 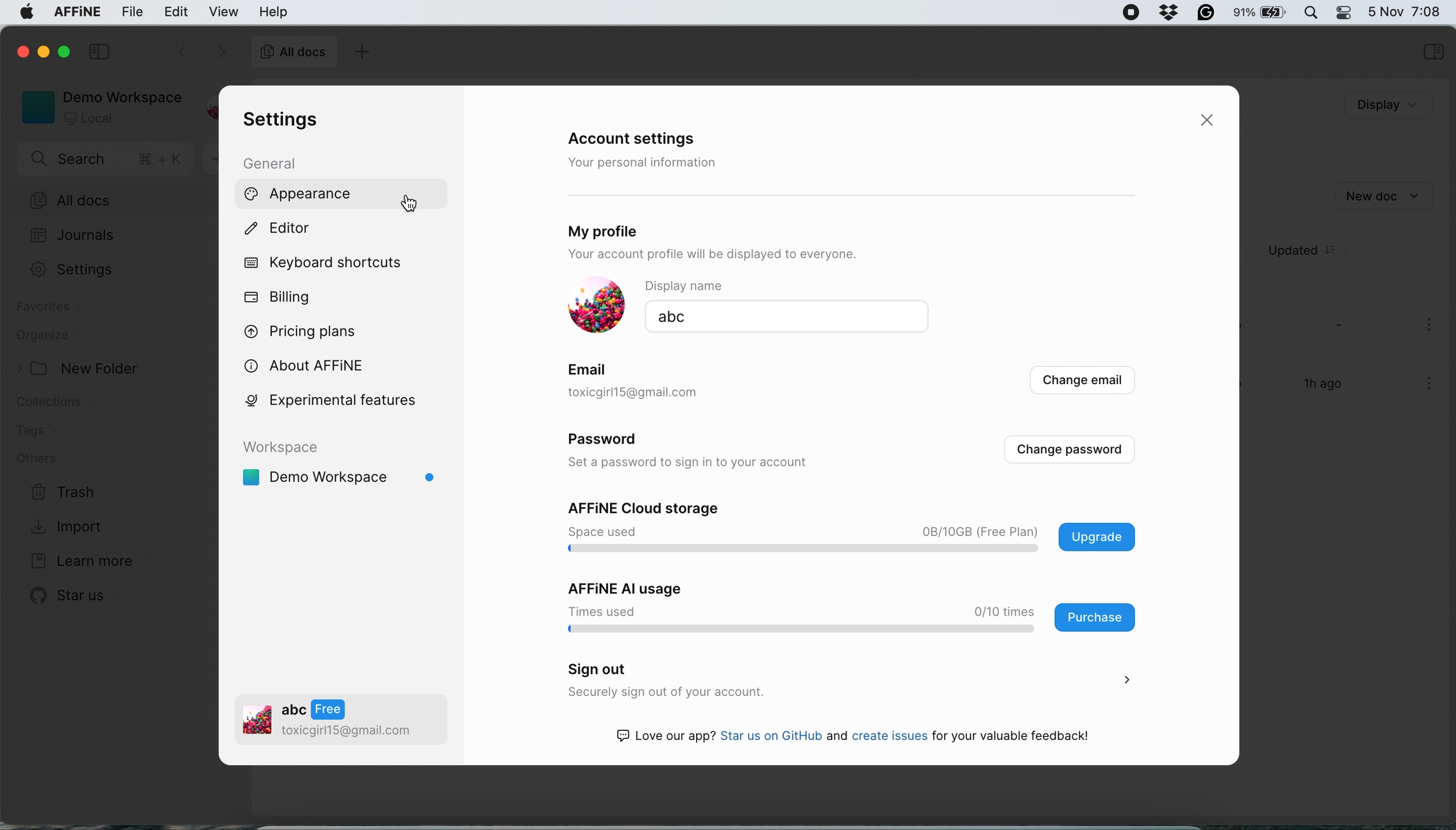 What do you see at coordinates (361, 51) in the screenshot?
I see `new tab` at bounding box center [361, 51].